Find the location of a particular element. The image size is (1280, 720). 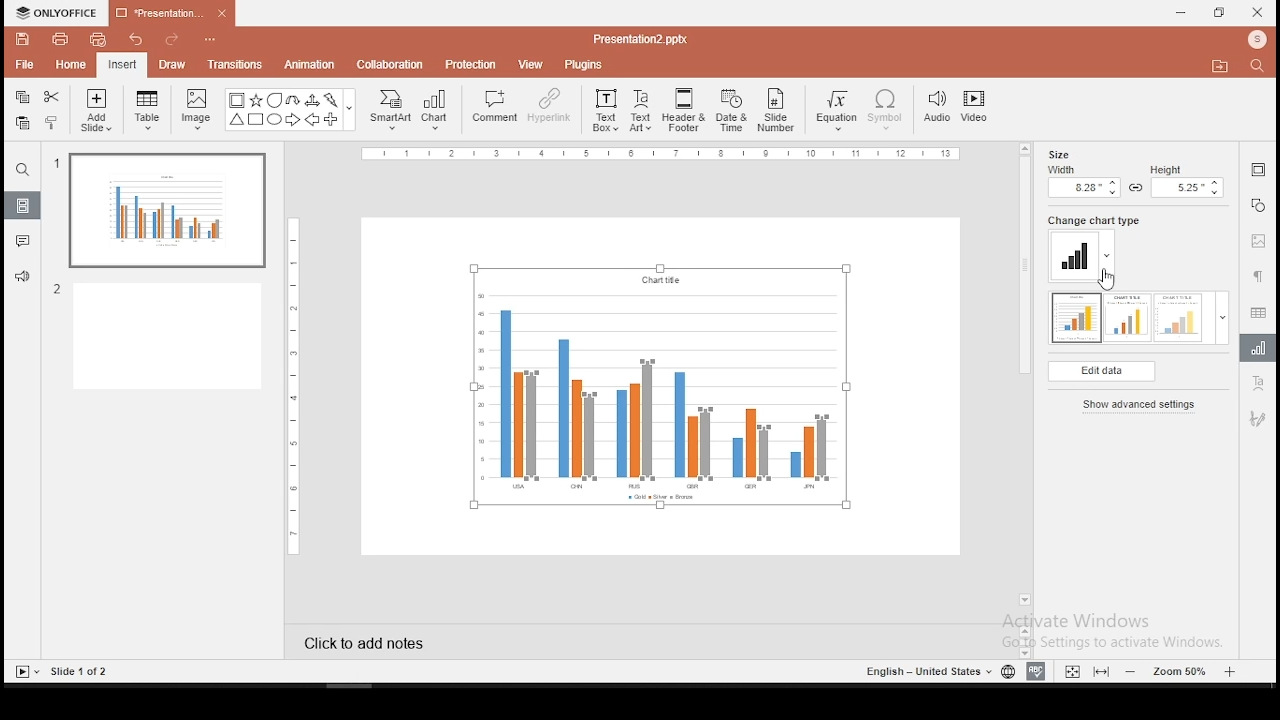

transitions is located at coordinates (235, 66).